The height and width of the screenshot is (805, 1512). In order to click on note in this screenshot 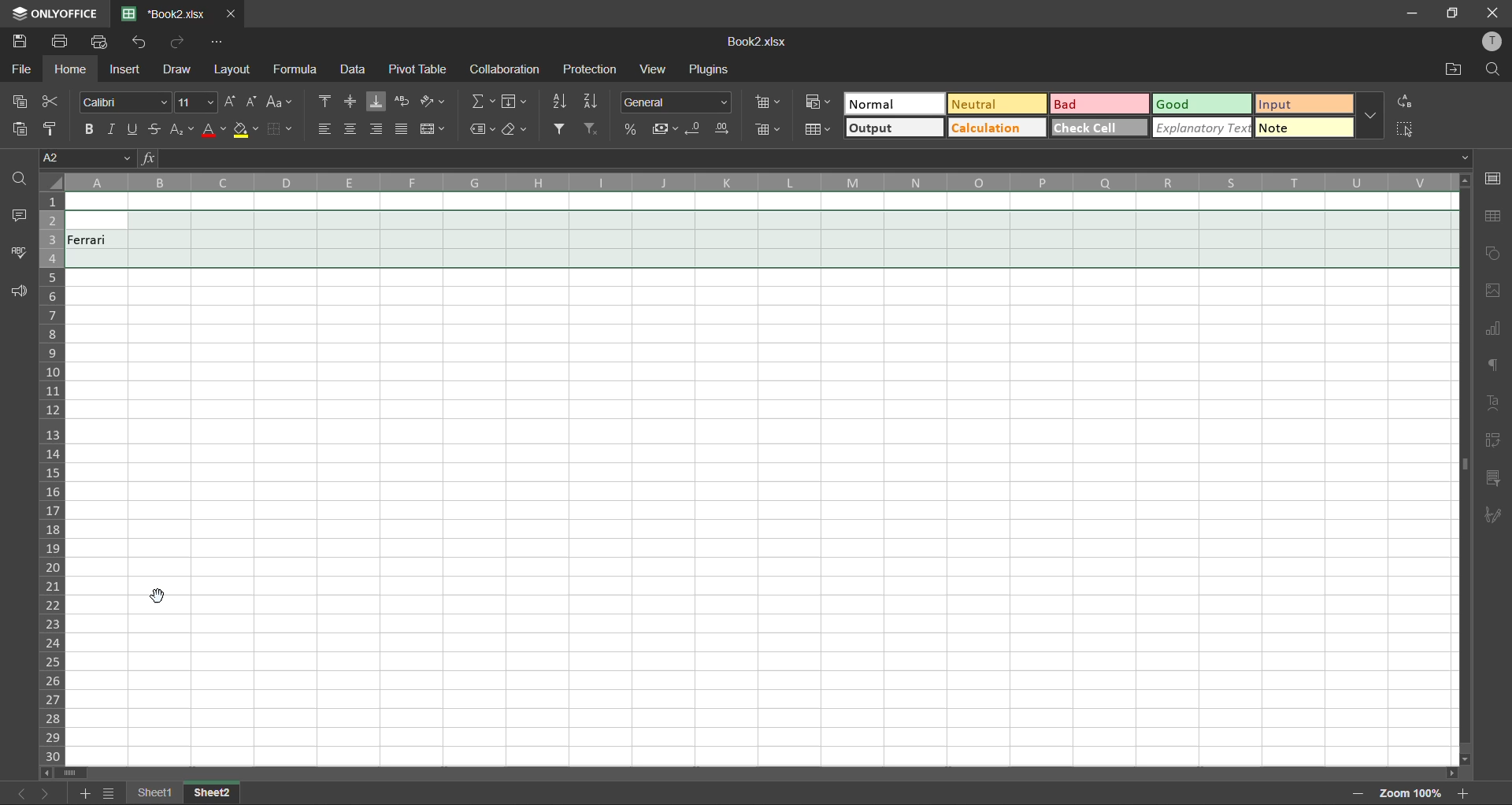, I will do `click(1303, 126)`.